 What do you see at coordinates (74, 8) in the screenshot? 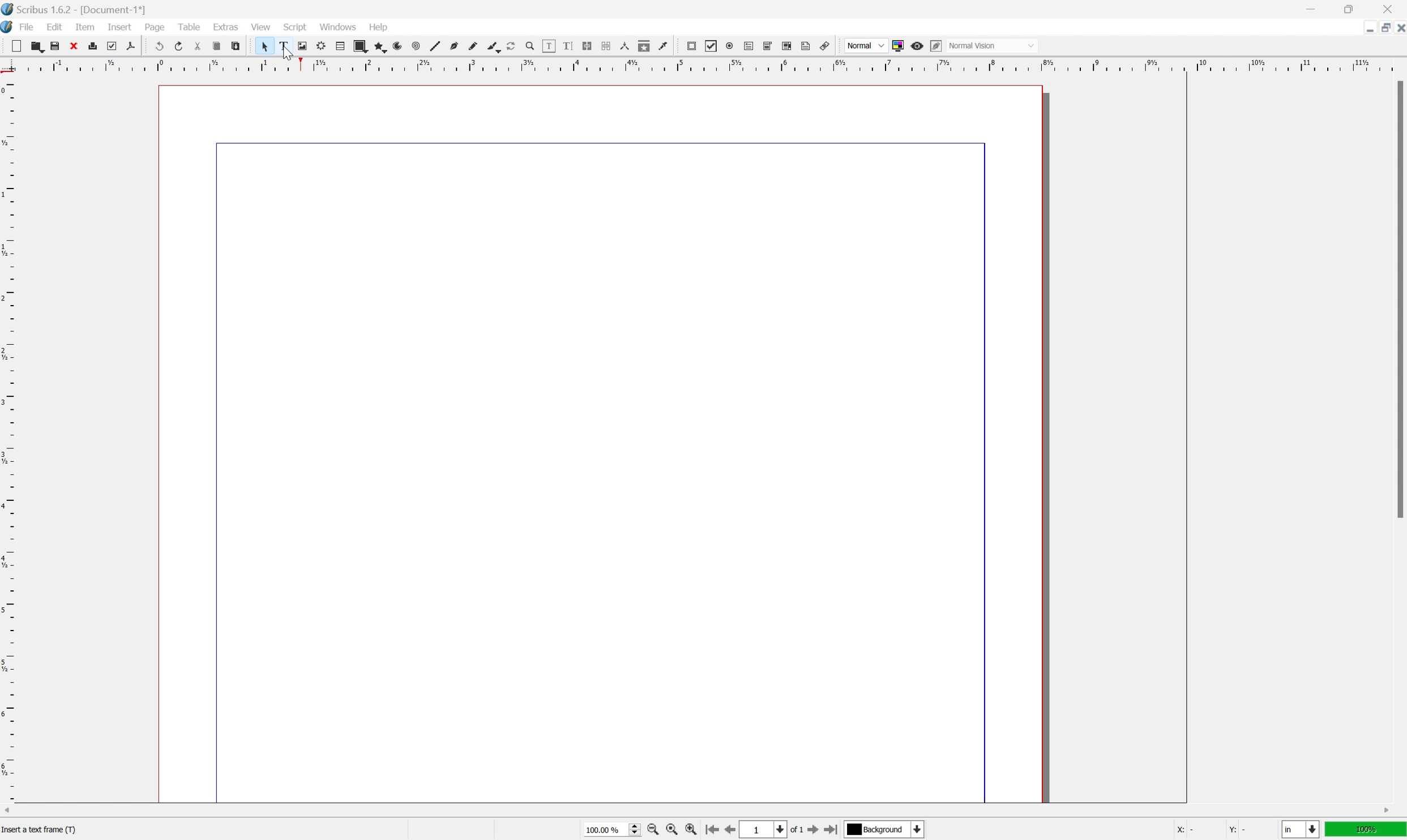
I see `scribus 1.6.2 - [document-1*]` at bounding box center [74, 8].